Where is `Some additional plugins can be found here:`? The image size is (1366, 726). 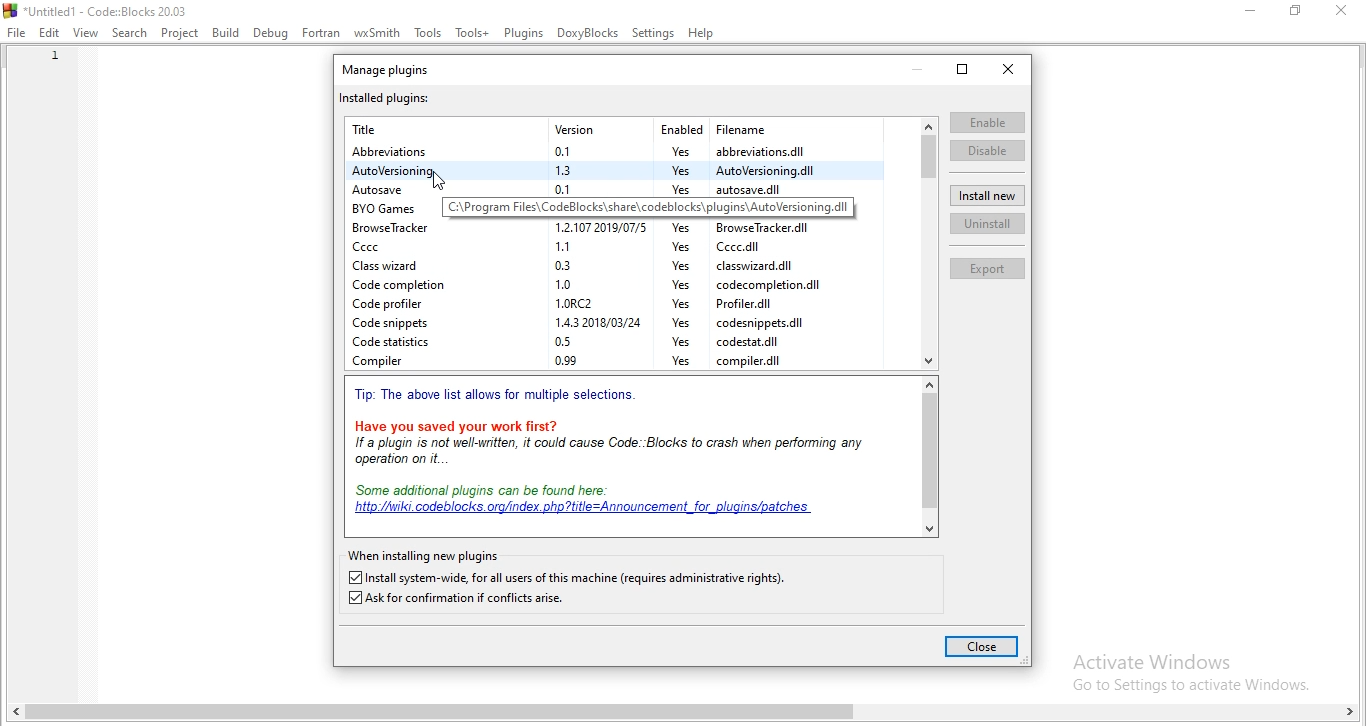 Some additional plugins can be found here: is located at coordinates (481, 489).